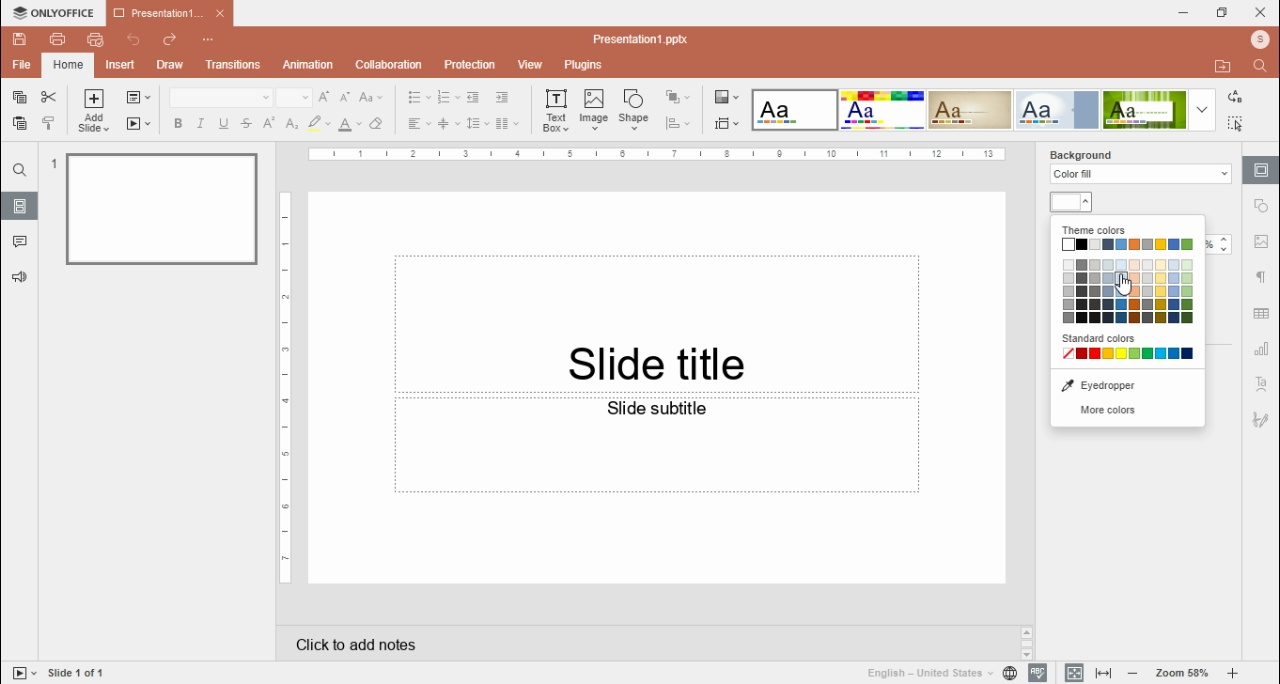 Image resolution: width=1280 pixels, height=684 pixels. I want to click on close window, so click(1260, 13).